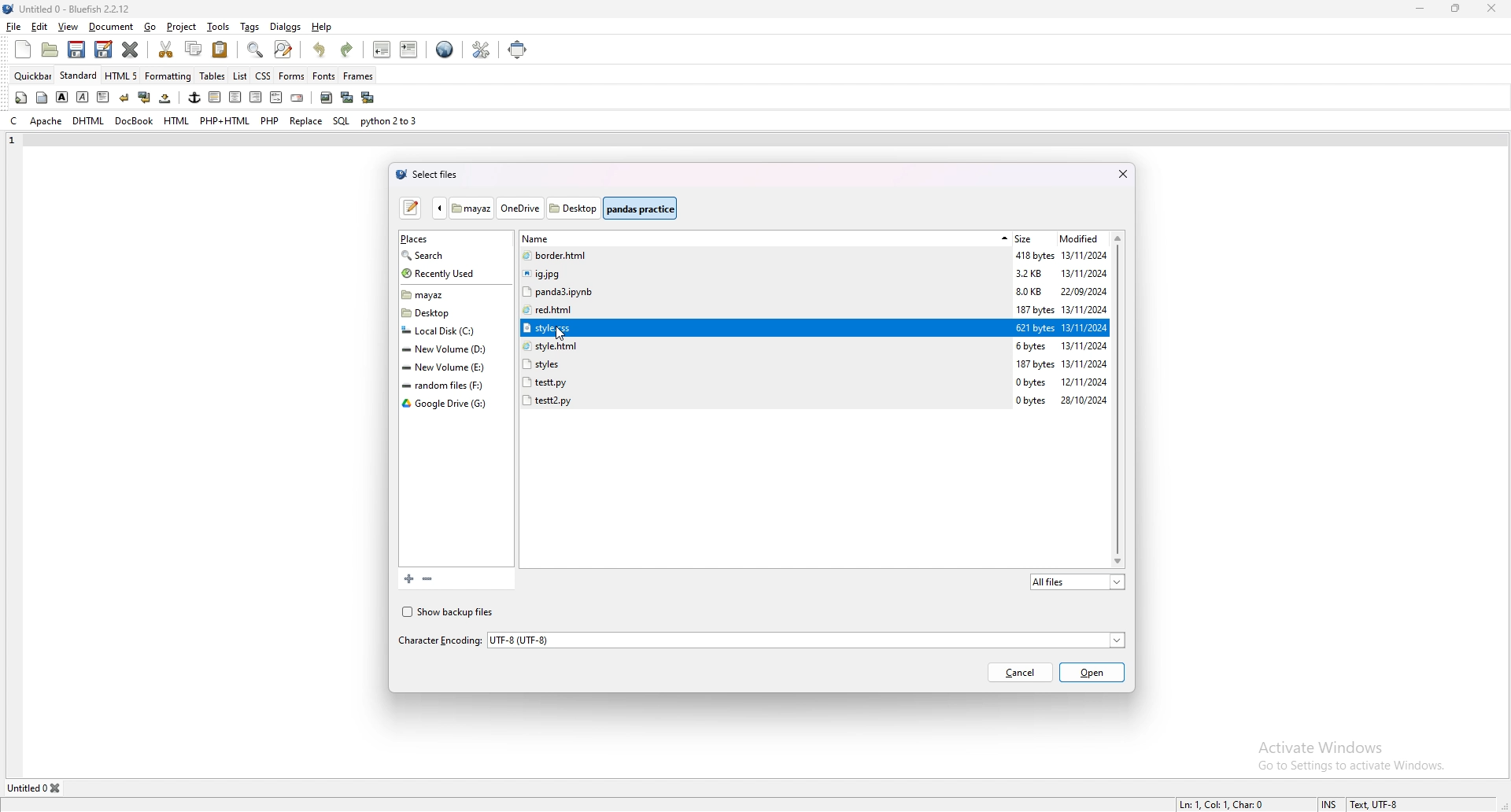 Image resolution: width=1511 pixels, height=812 pixels. What do you see at coordinates (447, 404) in the screenshot?
I see `folder` at bounding box center [447, 404].